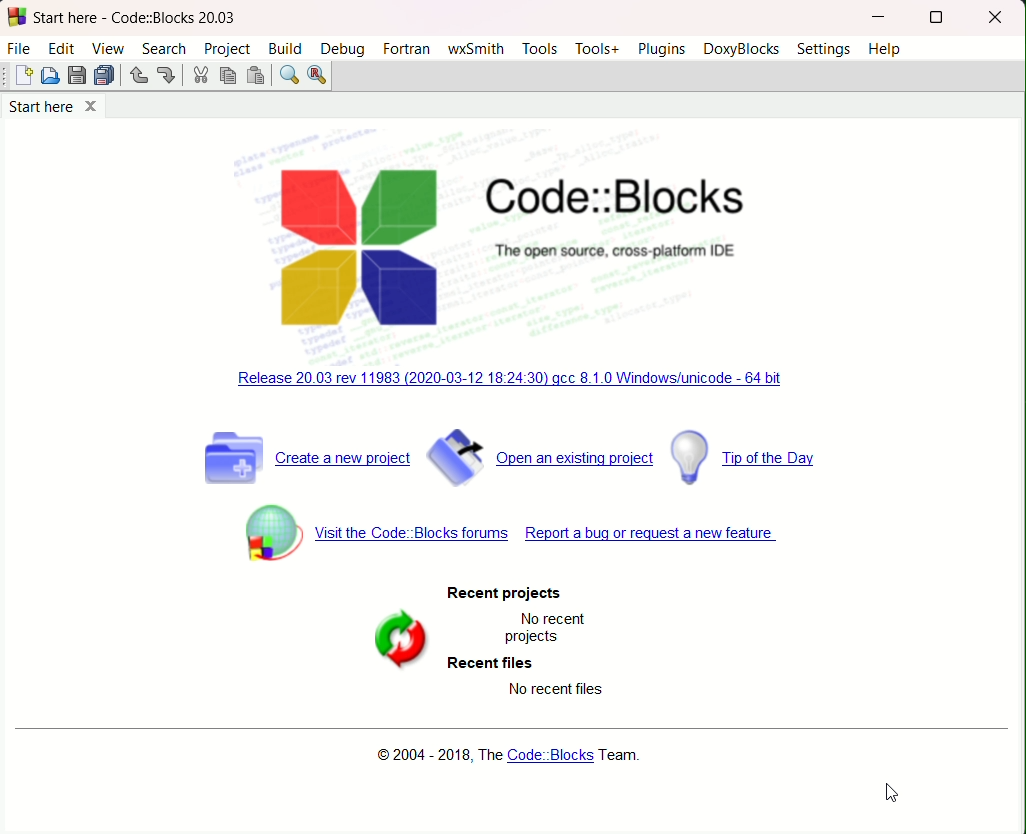 Image resolution: width=1026 pixels, height=834 pixels. I want to click on doxyblocks, so click(743, 50).